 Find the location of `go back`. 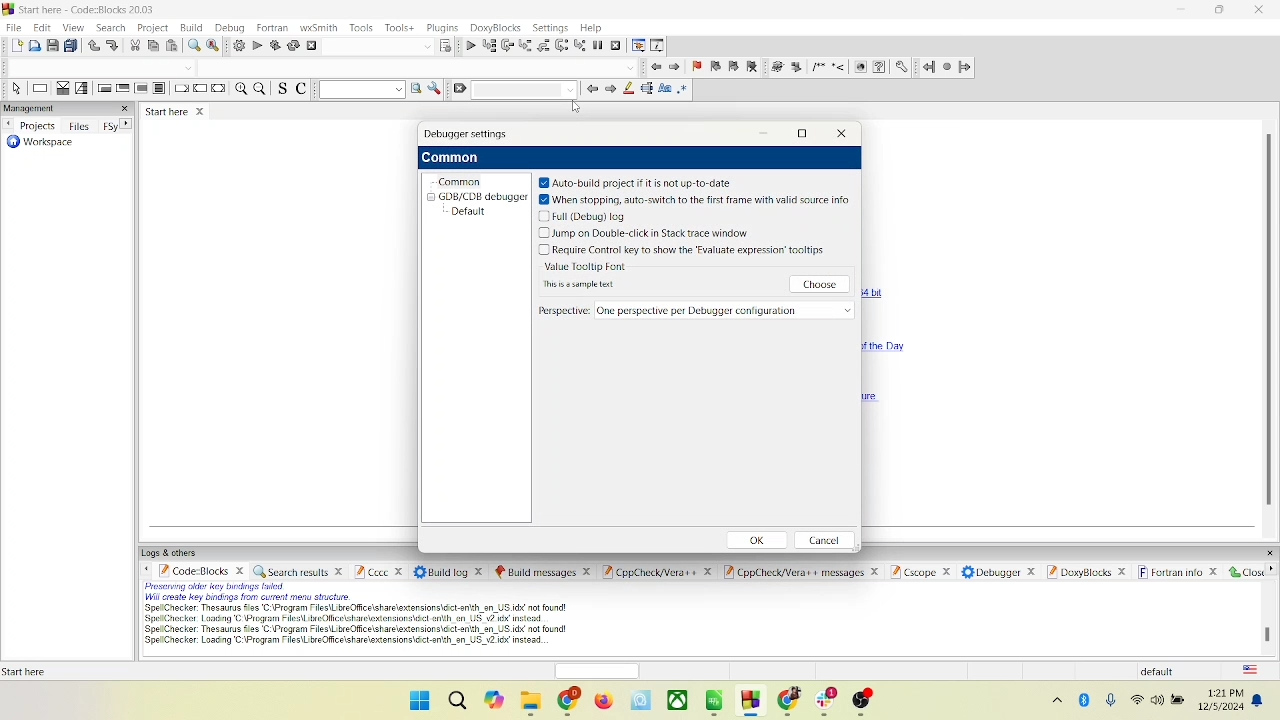

go back is located at coordinates (653, 66).